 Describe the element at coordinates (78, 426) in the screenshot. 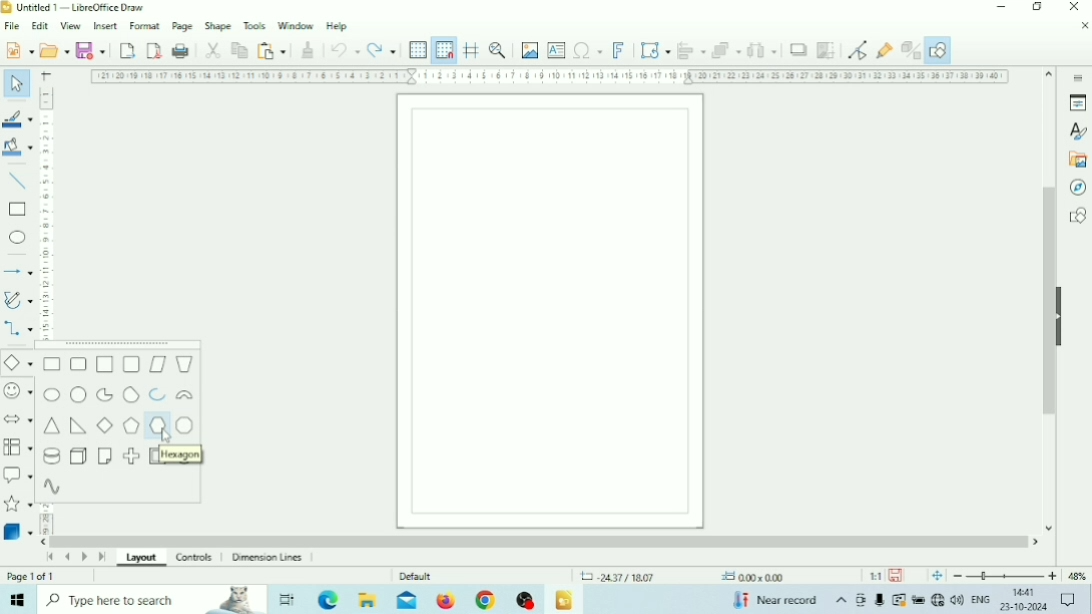

I see `Right Triangle` at that location.